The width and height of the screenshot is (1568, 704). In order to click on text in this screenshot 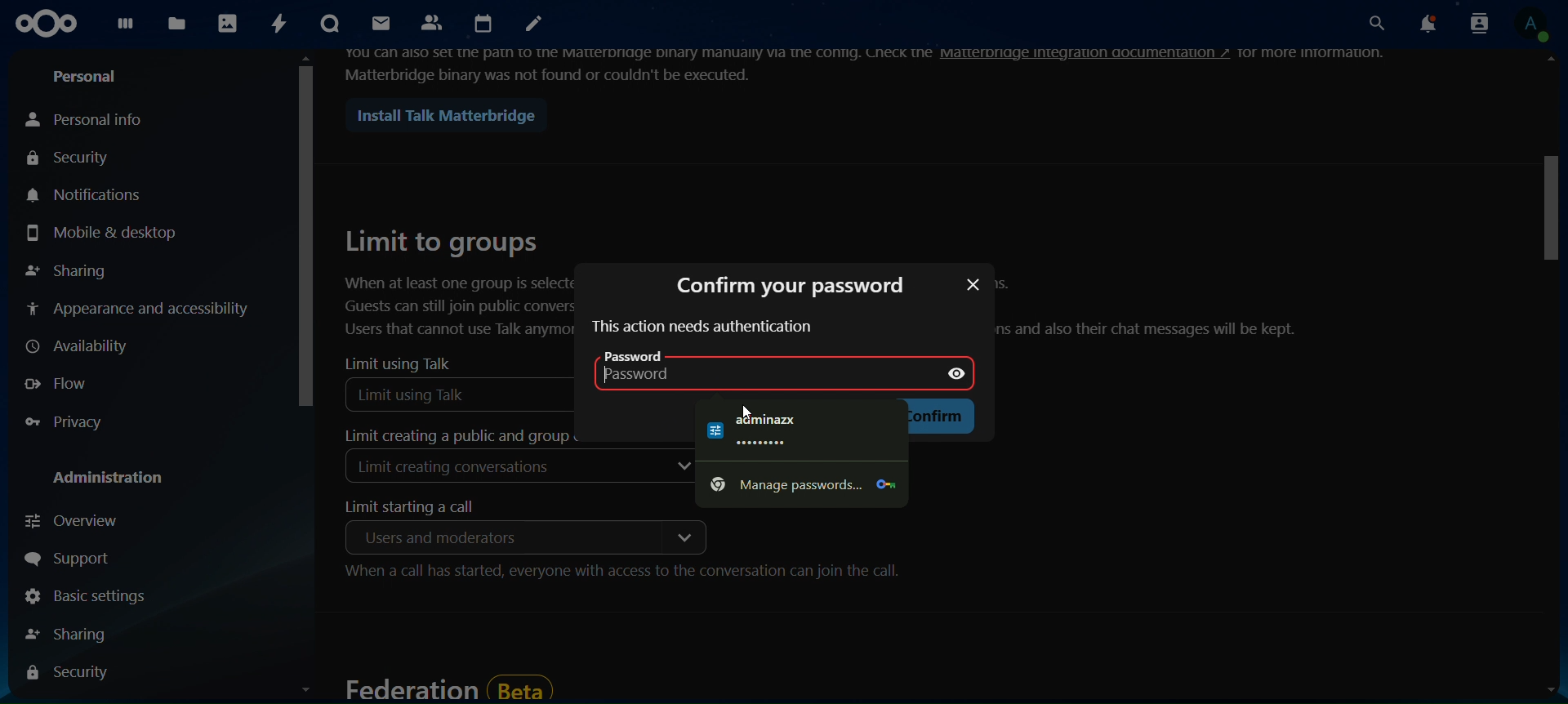, I will do `click(768, 427)`.